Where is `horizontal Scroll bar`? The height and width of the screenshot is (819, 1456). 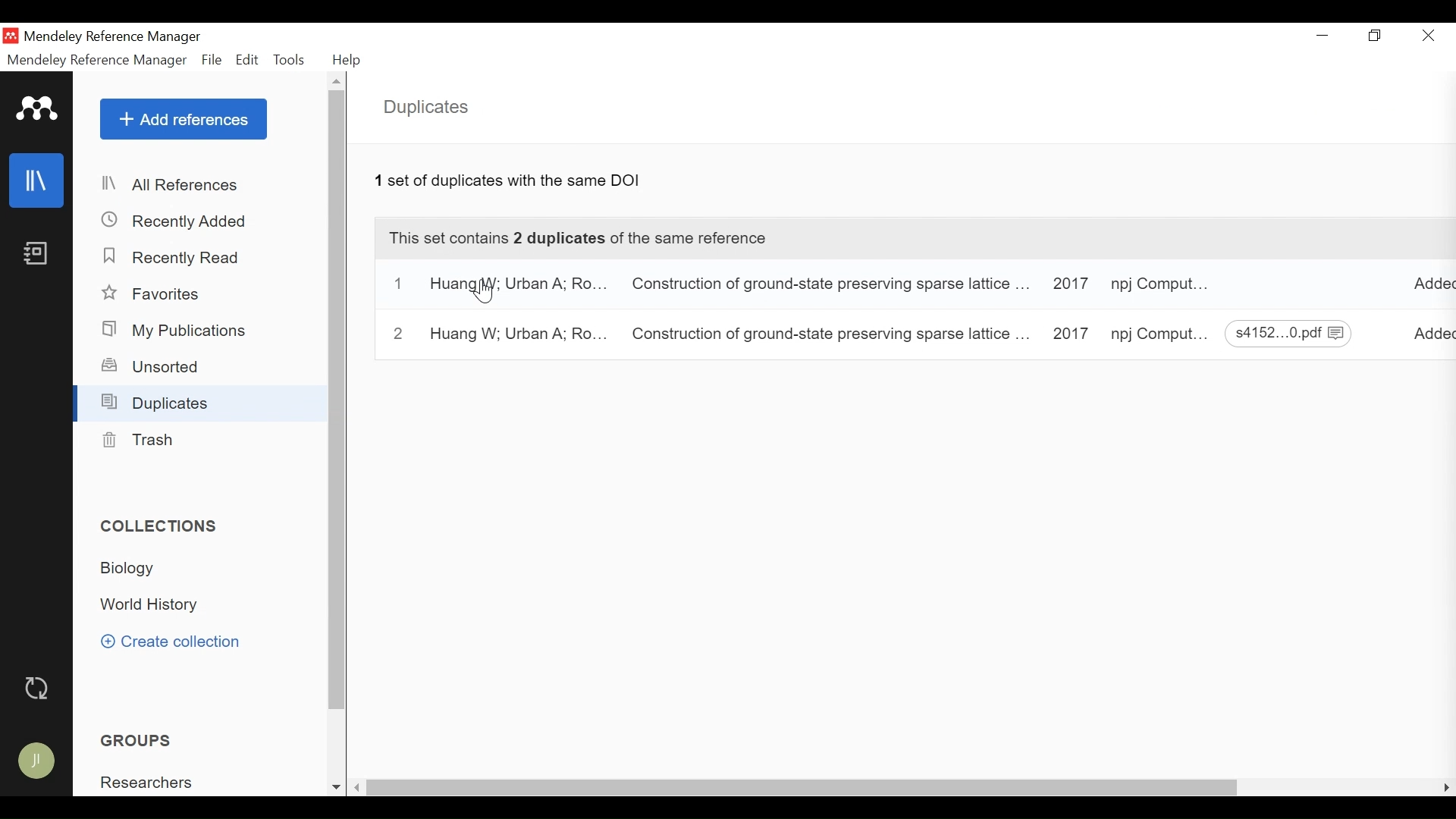
horizontal Scroll bar is located at coordinates (808, 789).